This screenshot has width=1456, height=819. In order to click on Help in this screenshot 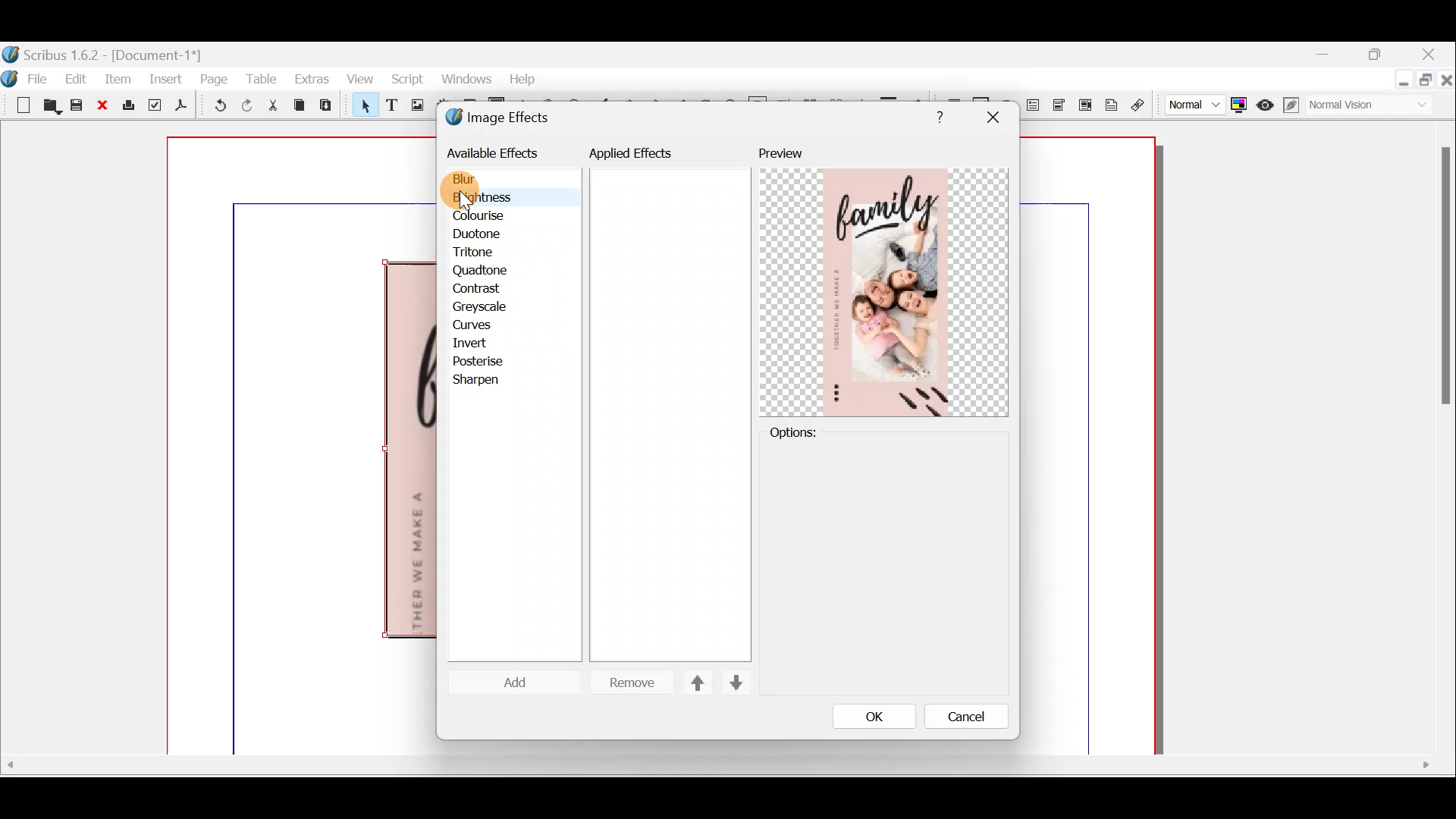, I will do `click(522, 77)`.